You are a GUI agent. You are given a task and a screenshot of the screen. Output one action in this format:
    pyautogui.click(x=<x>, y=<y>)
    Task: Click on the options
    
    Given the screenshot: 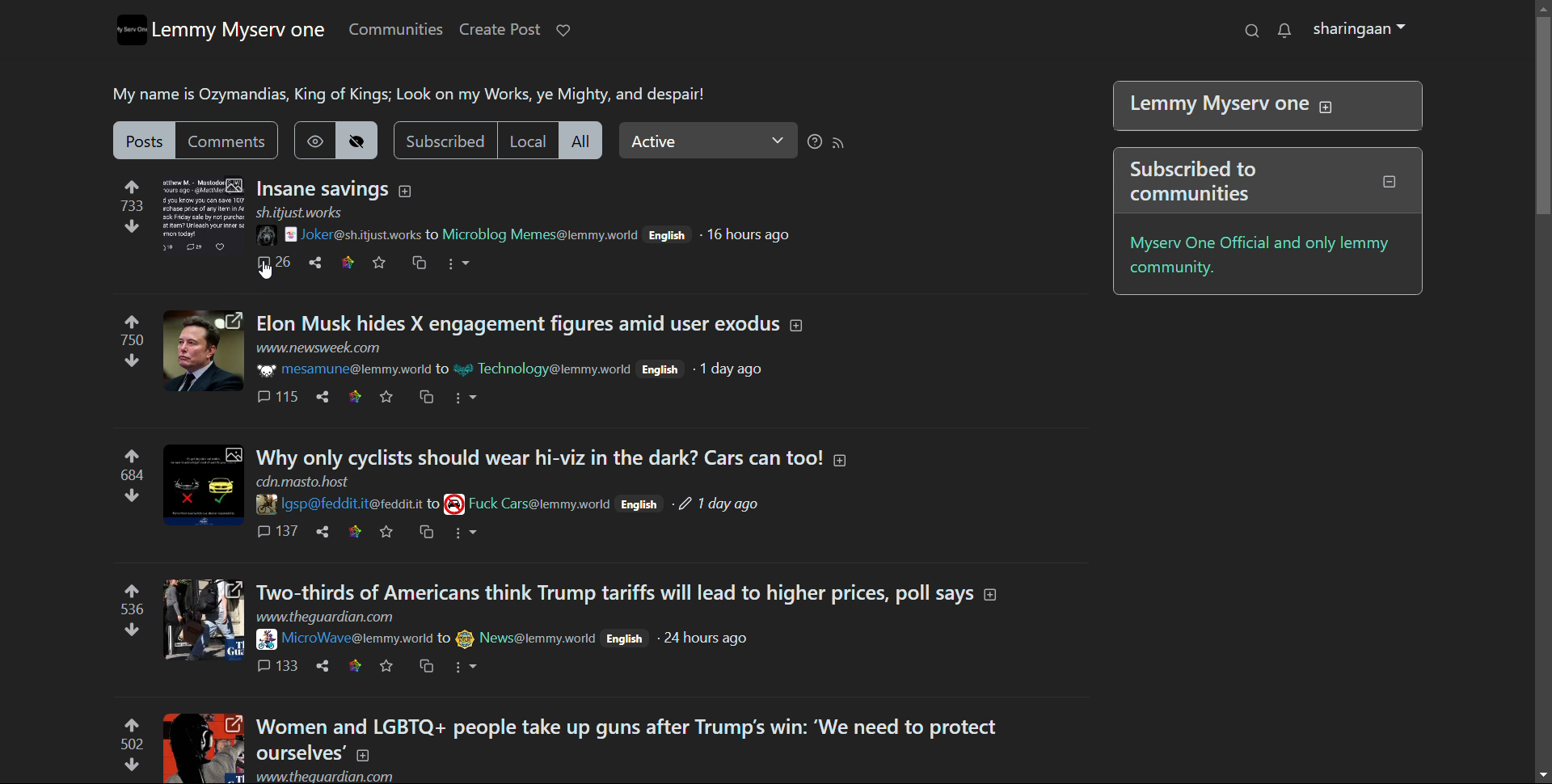 What is the action you would take?
    pyautogui.click(x=465, y=398)
    